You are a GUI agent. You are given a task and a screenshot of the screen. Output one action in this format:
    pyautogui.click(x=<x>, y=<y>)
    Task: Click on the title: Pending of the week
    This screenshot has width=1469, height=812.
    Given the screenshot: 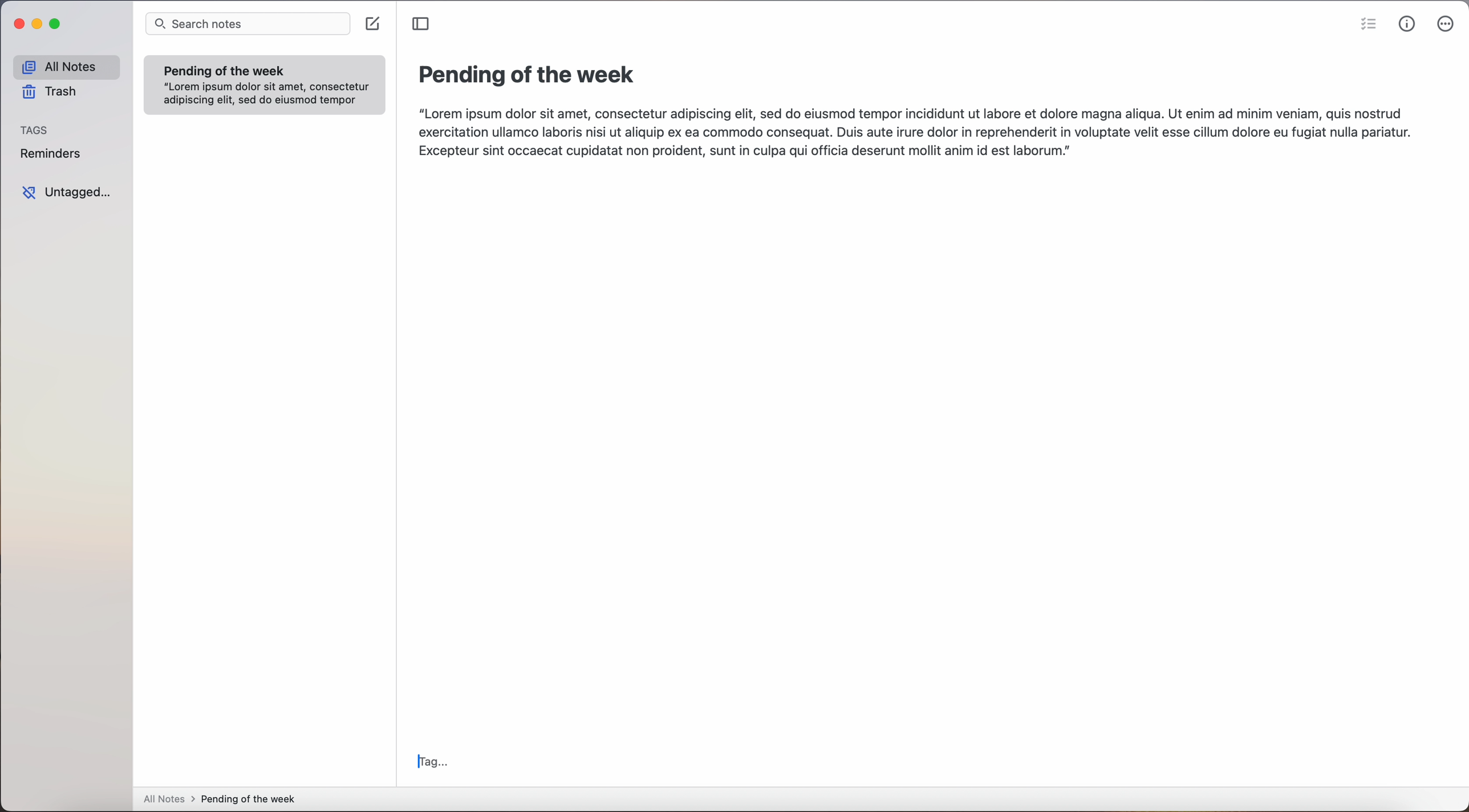 What is the action you would take?
    pyautogui.click(x=529, y=76)
    